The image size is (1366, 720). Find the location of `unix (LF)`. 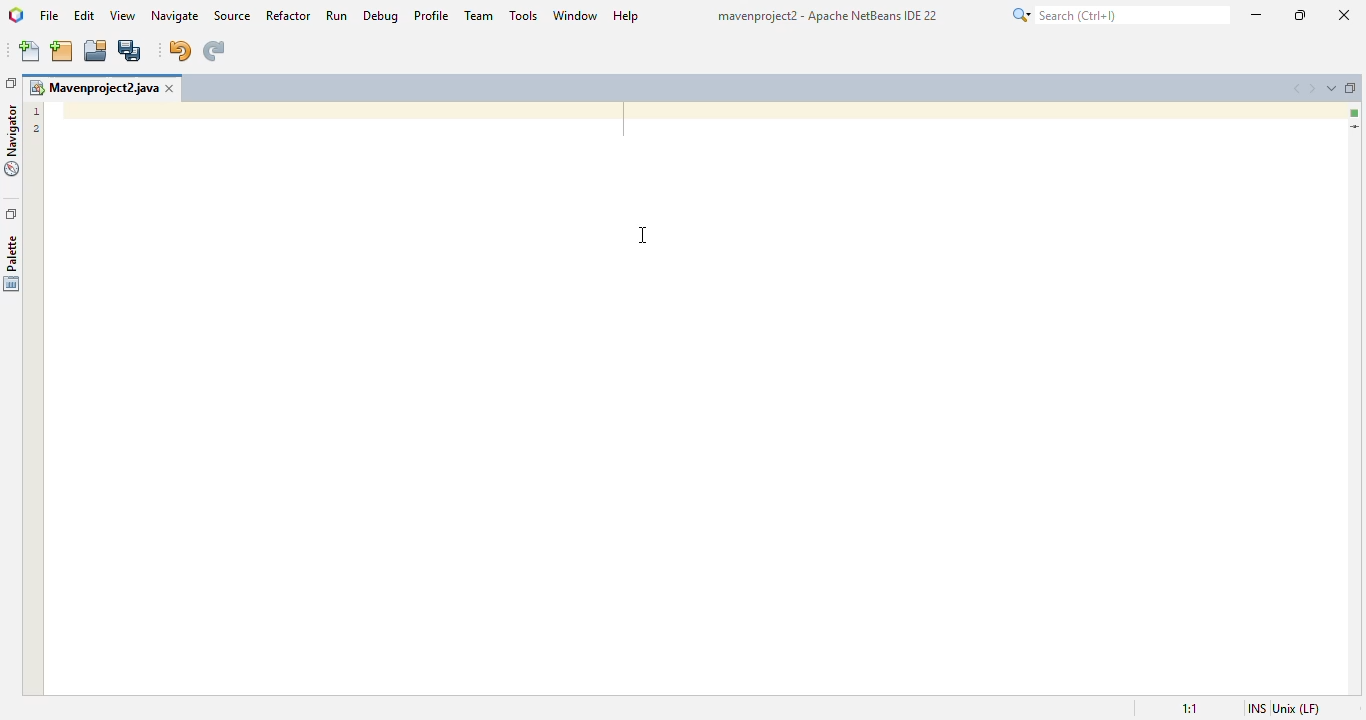

unix (LF) is located at coordinates (1297, 708).